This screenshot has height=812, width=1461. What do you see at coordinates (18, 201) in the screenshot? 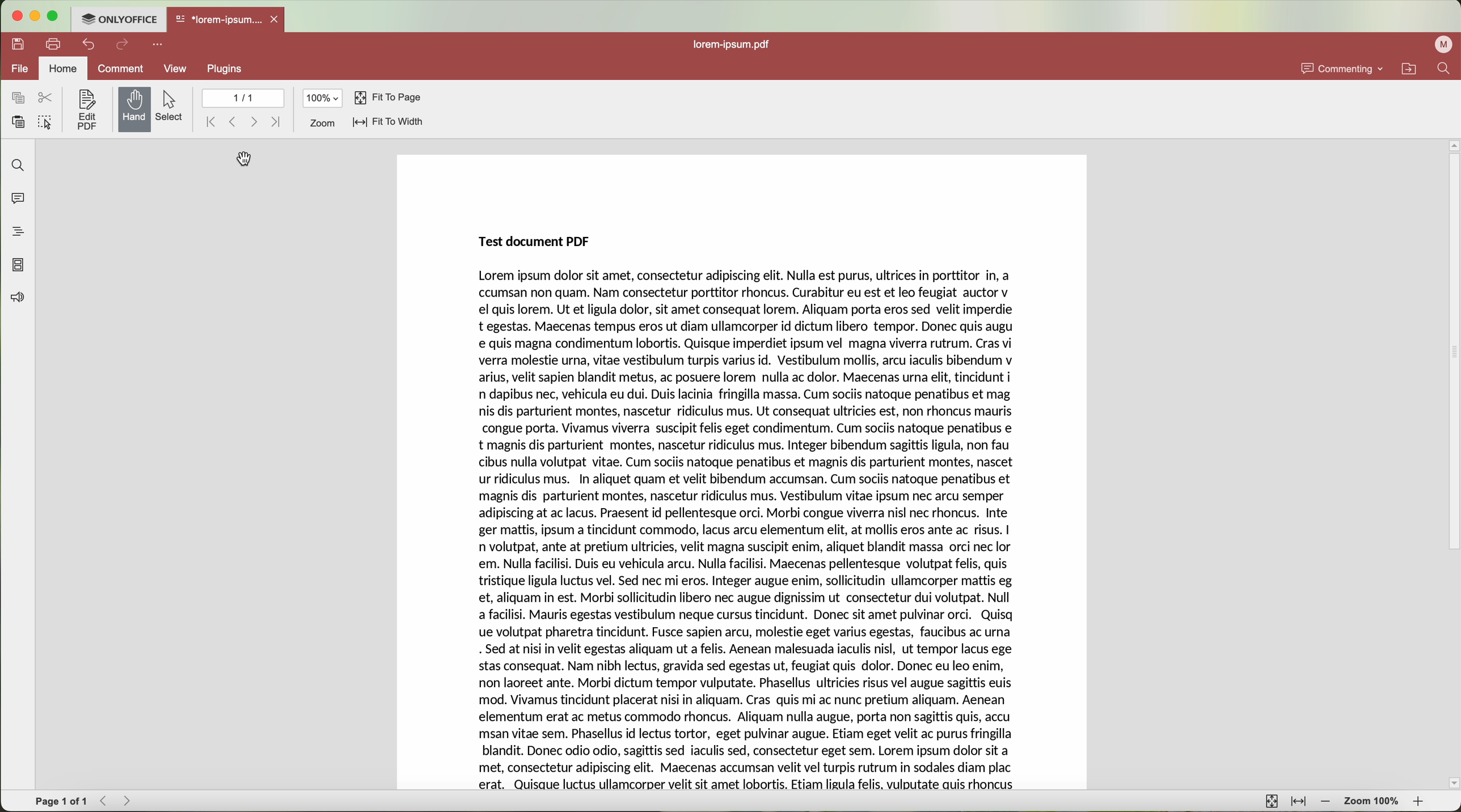
I see `comments` at bounding box center [18, 201].